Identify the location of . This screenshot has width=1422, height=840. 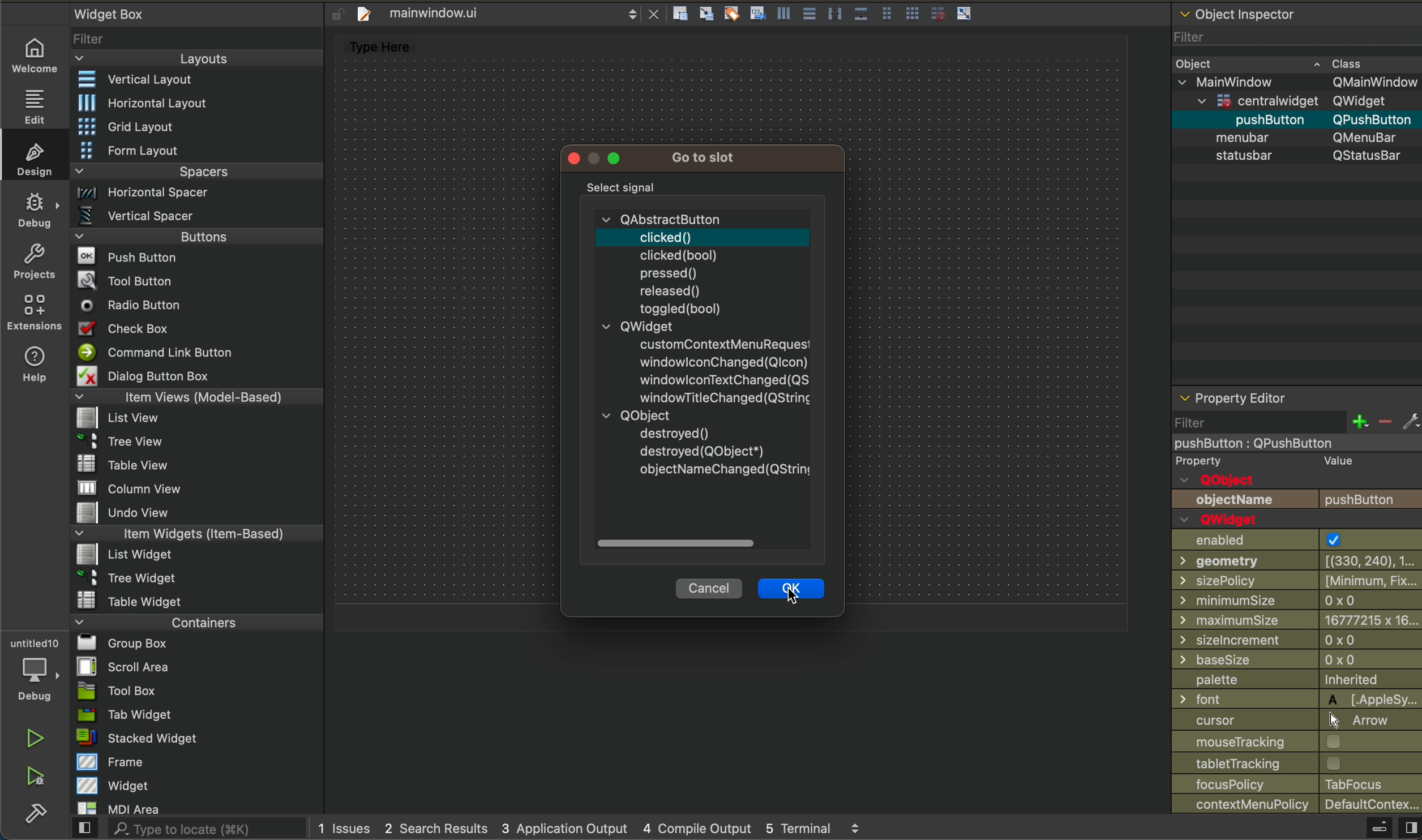
(1295, 620).